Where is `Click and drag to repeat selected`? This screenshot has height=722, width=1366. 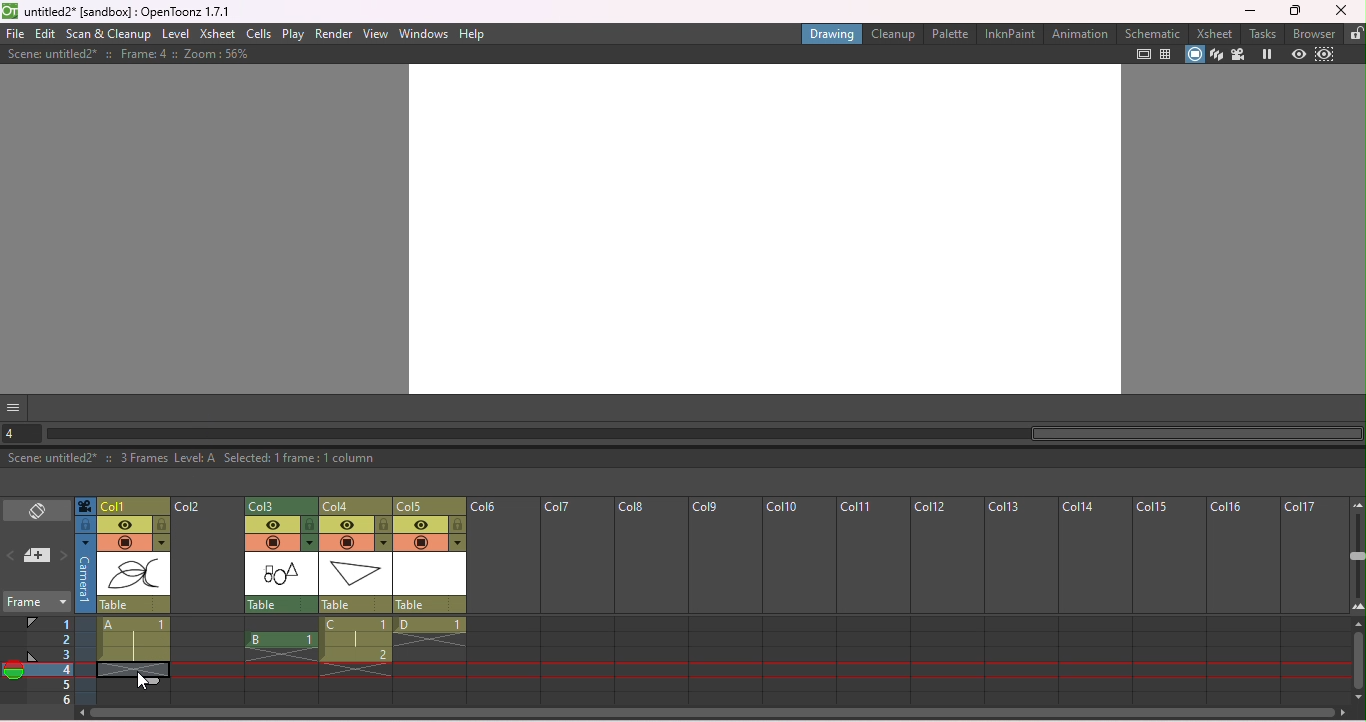 Click and drag to repeat selected is located at coordinates (146, 683).